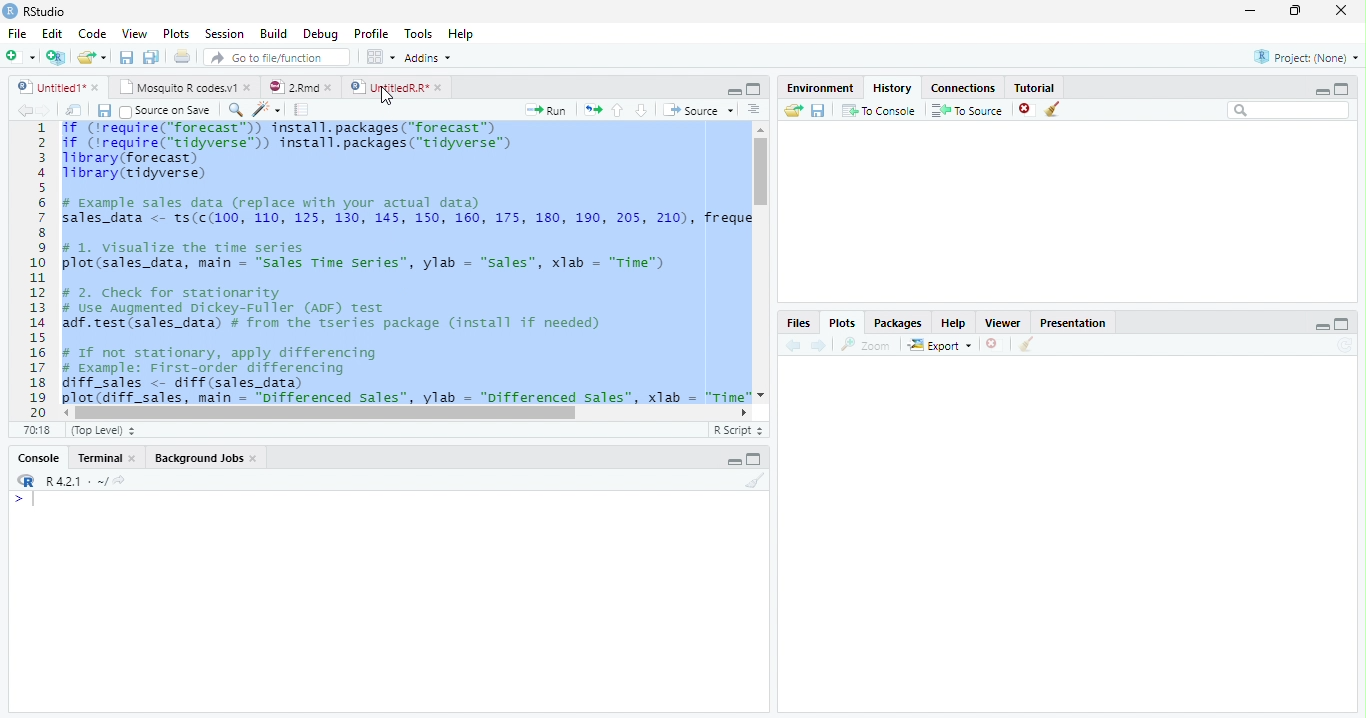  What do you see at coordinates (940, 345) in the screenshot?
I see `Export` at bounding box center [940, 345].